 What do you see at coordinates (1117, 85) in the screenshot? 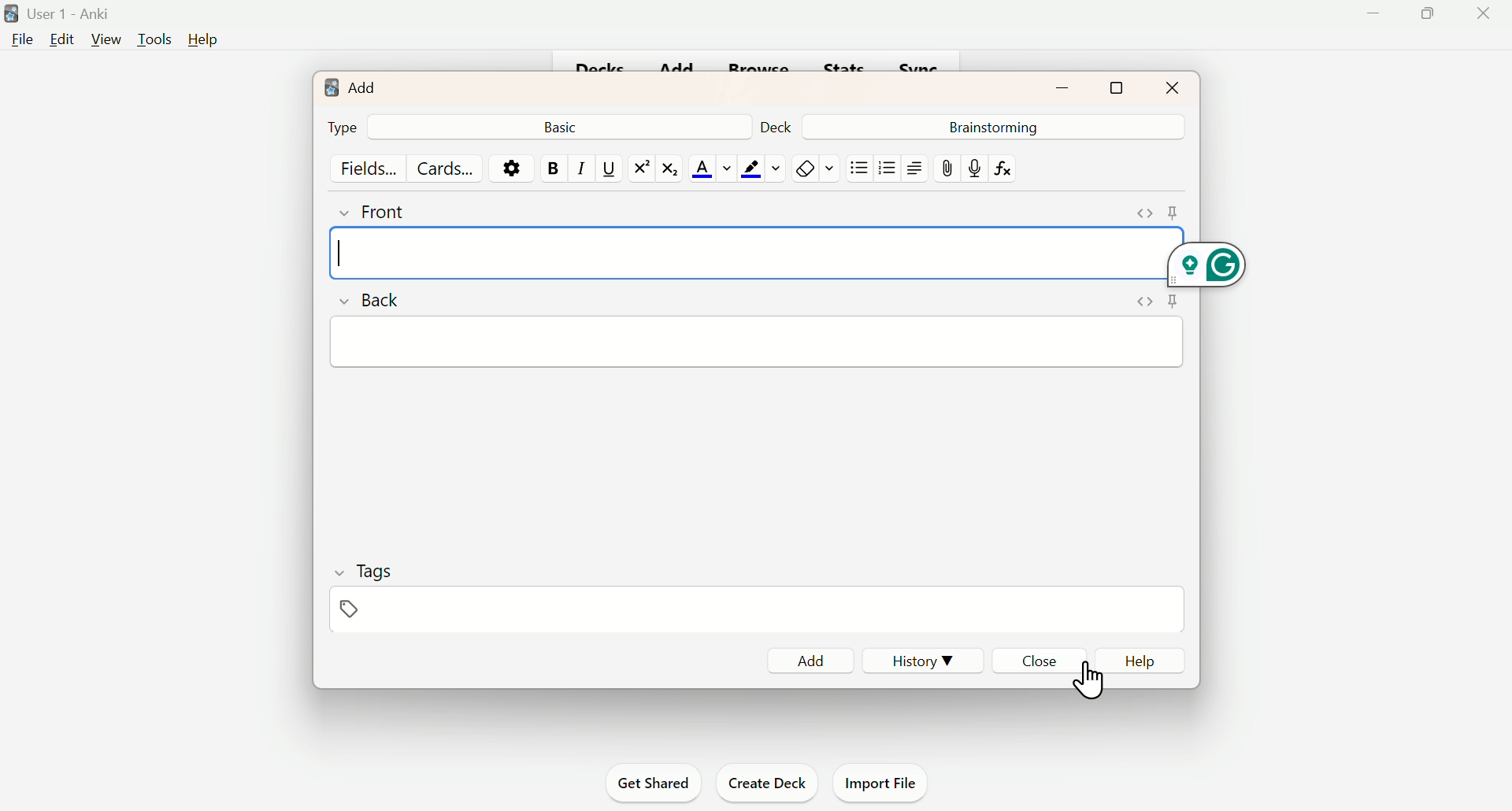
I see `Maximize` at bounding box center [1117, 85].